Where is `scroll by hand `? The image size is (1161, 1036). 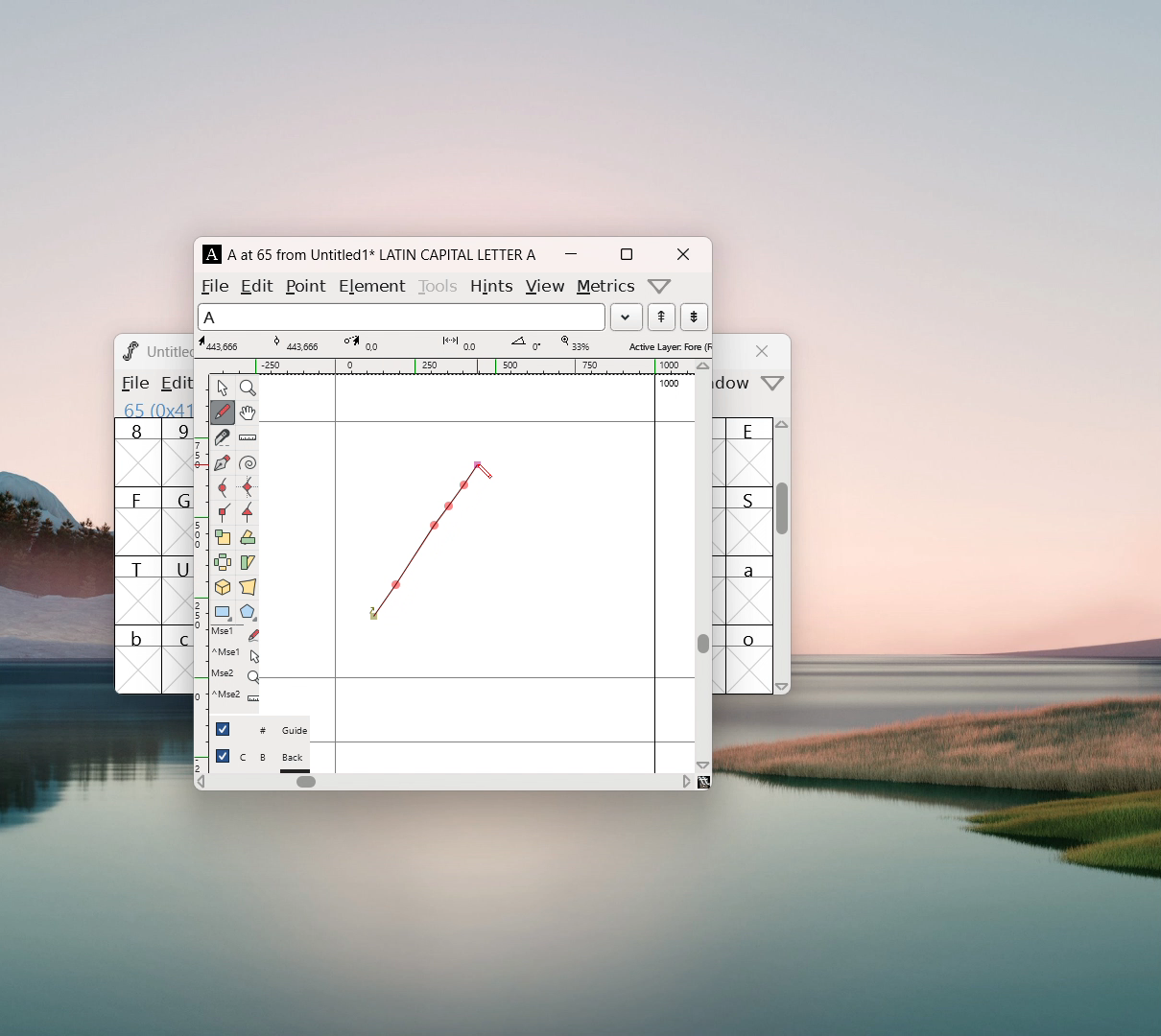 scroll by hand  is located at coordinates (248, 413).